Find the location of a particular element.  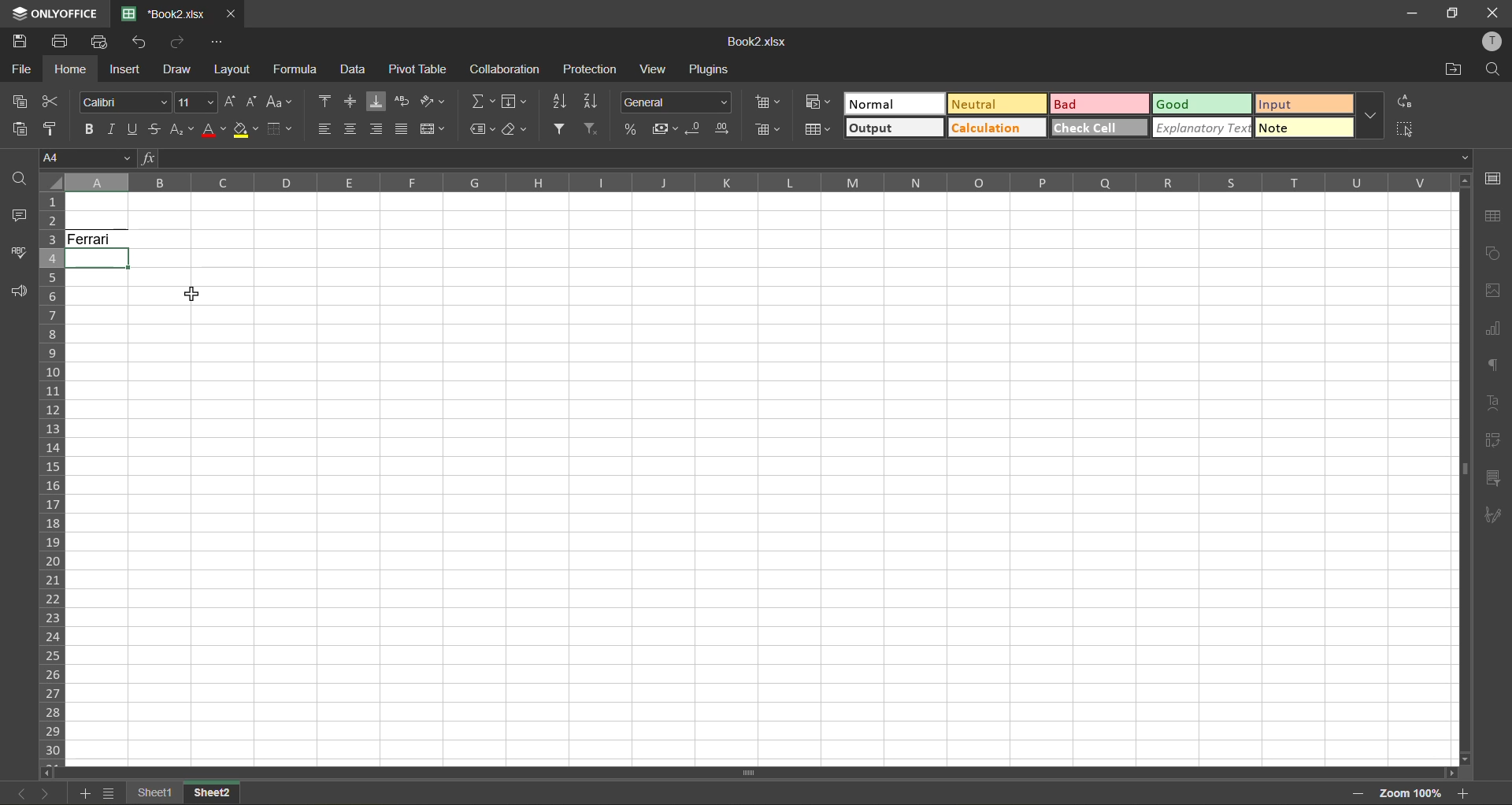

collaboration is located at coordinates (502, 69).